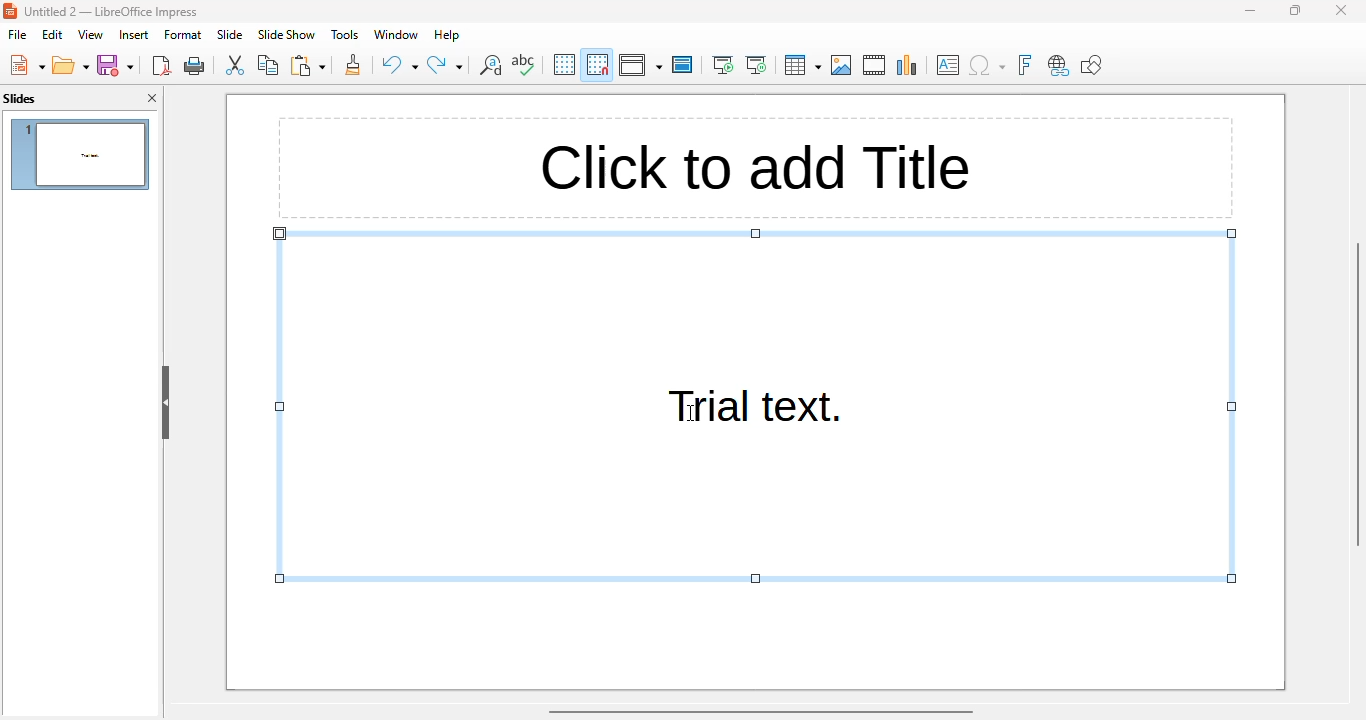 Image resolution: width=1366 pixels, height=720 pixels. I want to click on master slide, so click(682, 65).